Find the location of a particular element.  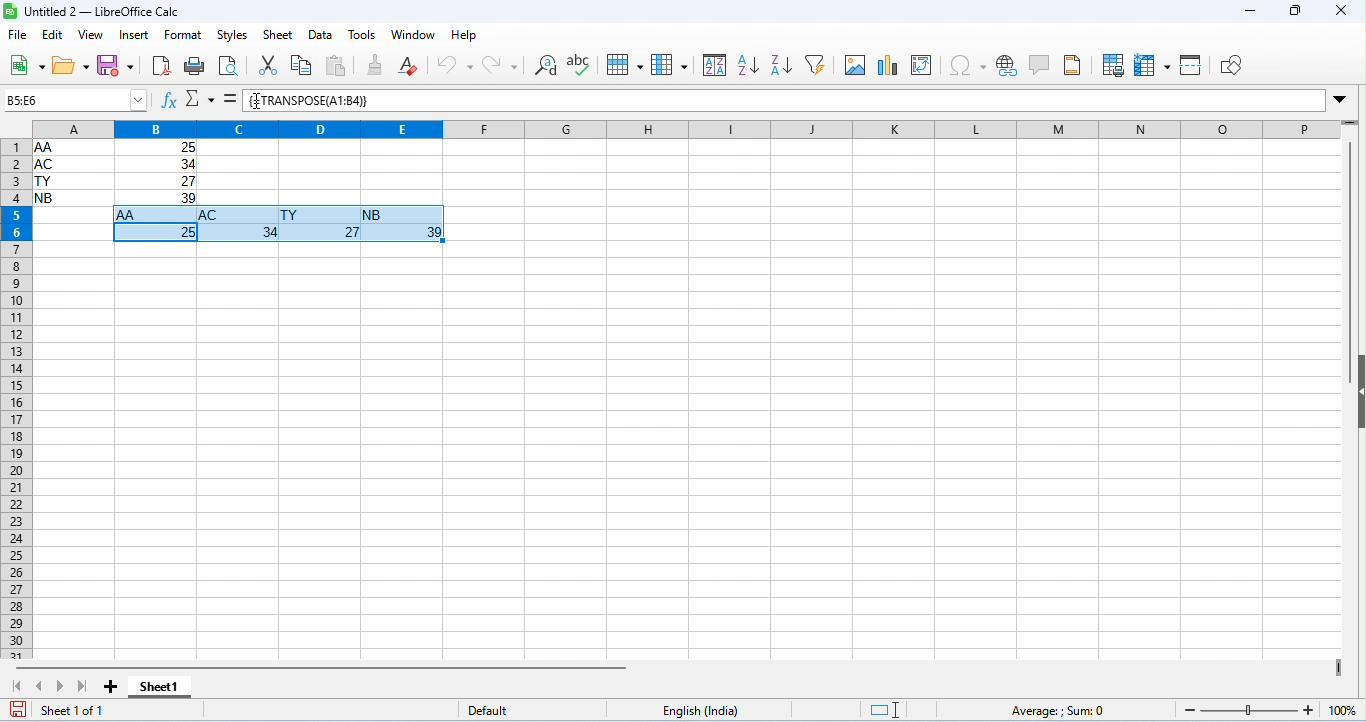

function wizard is located at coordinates (169, 101).